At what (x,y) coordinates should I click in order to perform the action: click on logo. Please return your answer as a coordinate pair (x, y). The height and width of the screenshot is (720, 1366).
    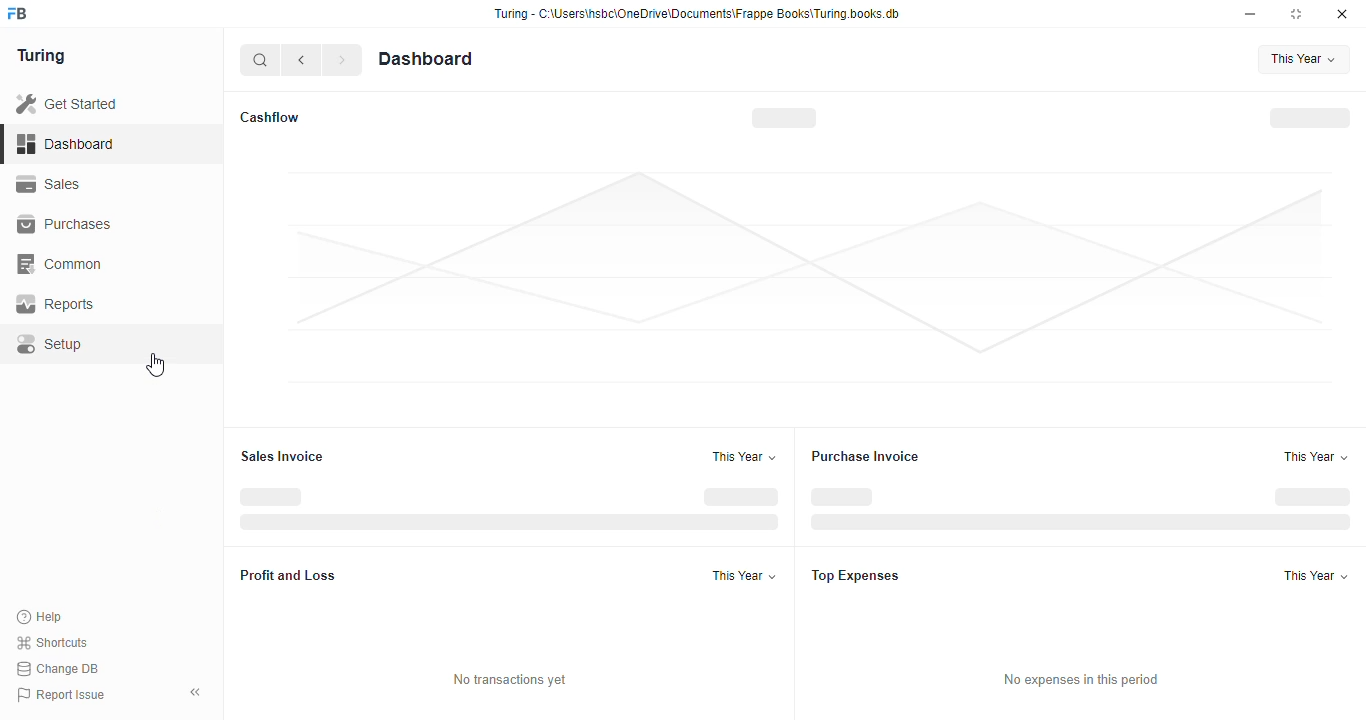
    Looking at the image, I should click on (18, 13).